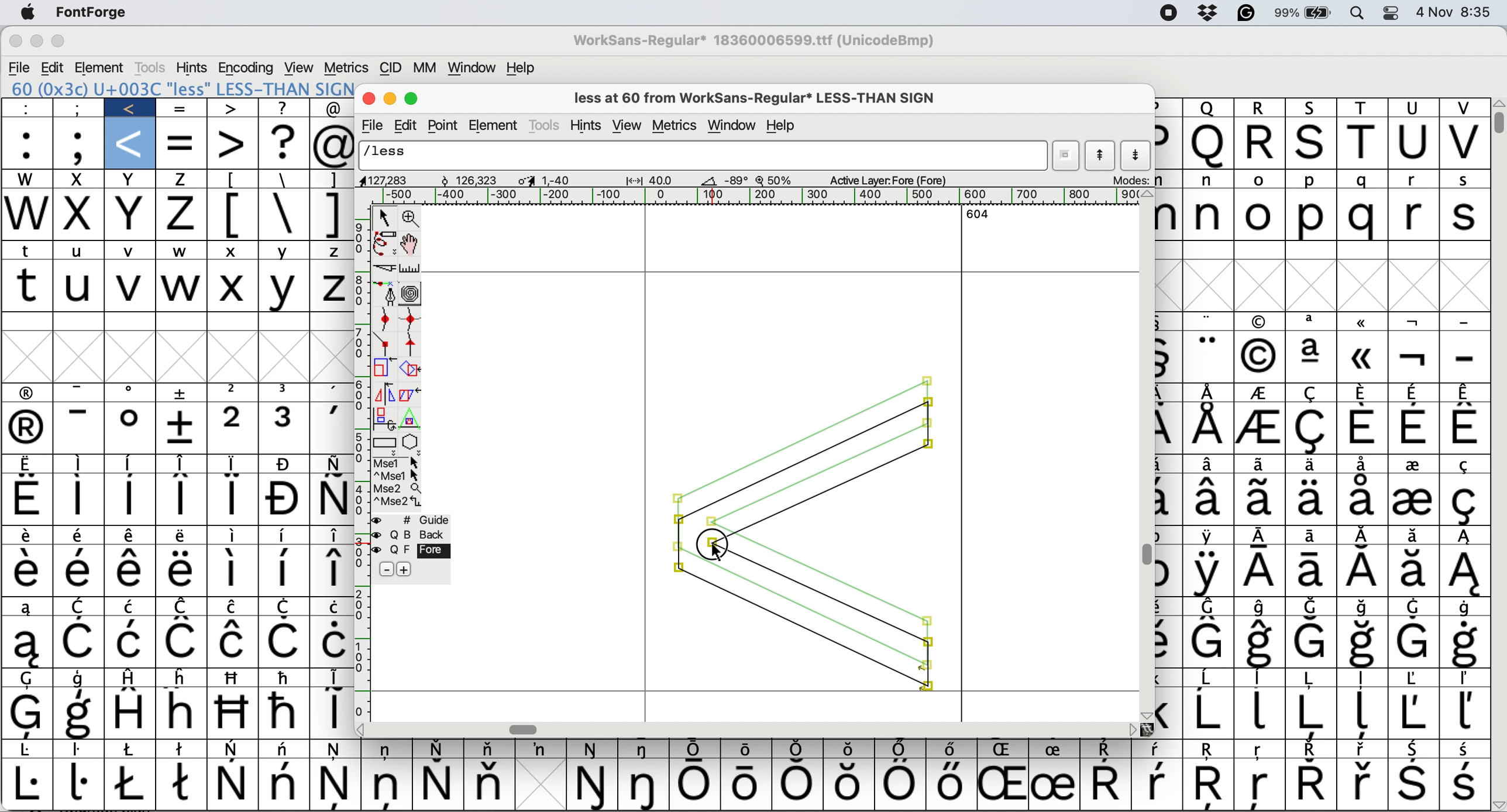 The height and width of the screenshot is (812, 1507). I want to click on Symbol, so click(1467, 464).